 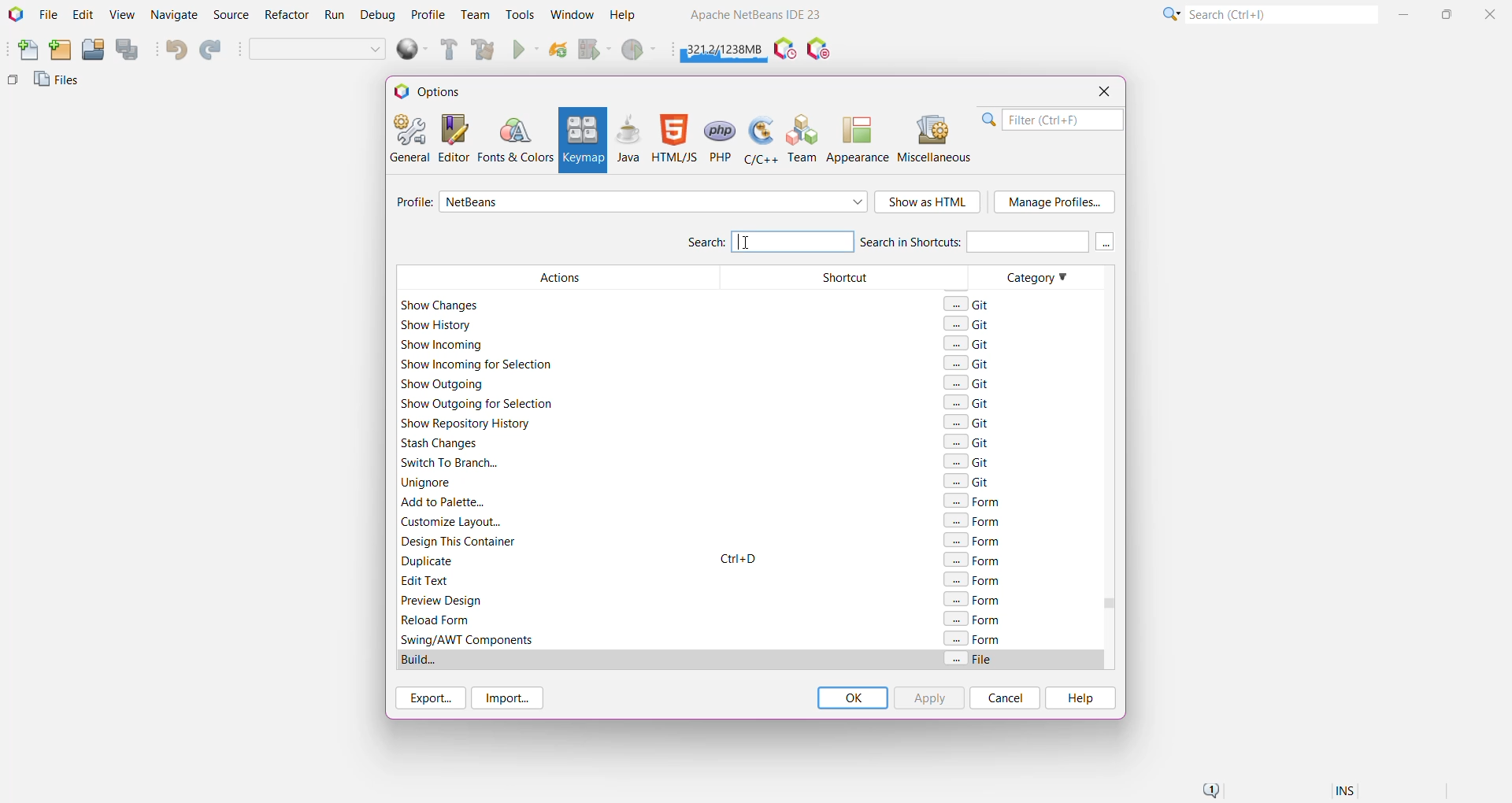 I want to click on Tools, so click(x=521, y=13).